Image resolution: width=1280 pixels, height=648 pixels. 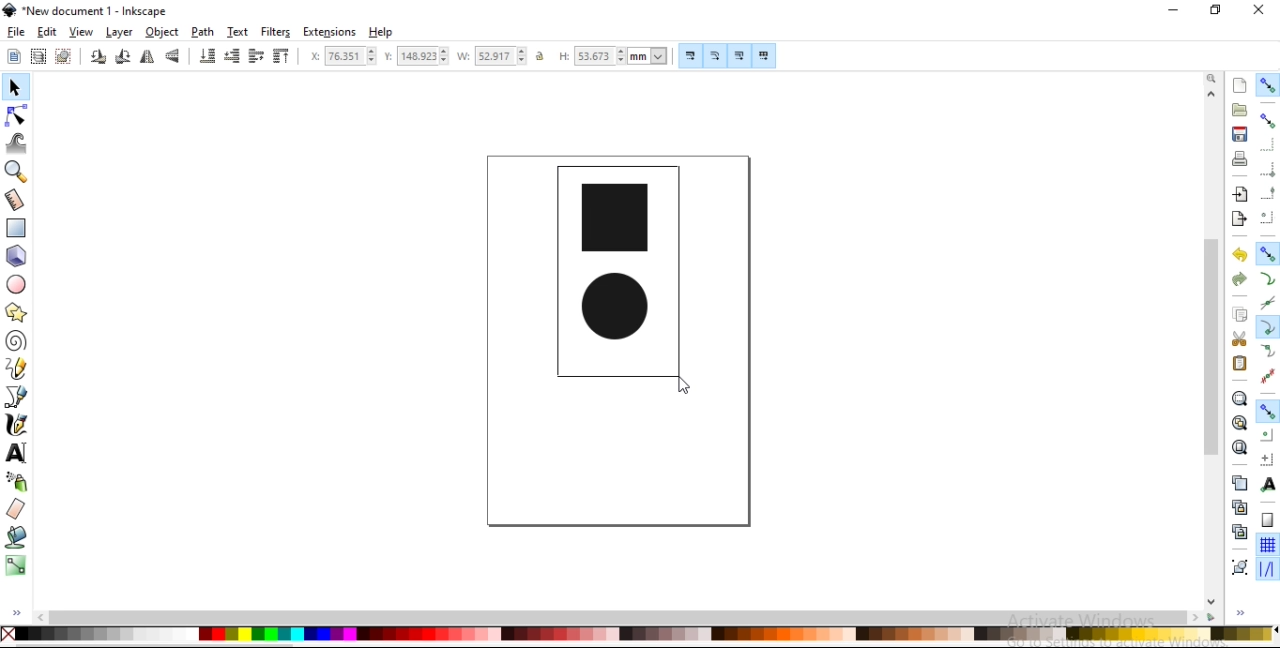 I want to click on snap midpoints of bounding box edges, so click(x=1268, y=194).